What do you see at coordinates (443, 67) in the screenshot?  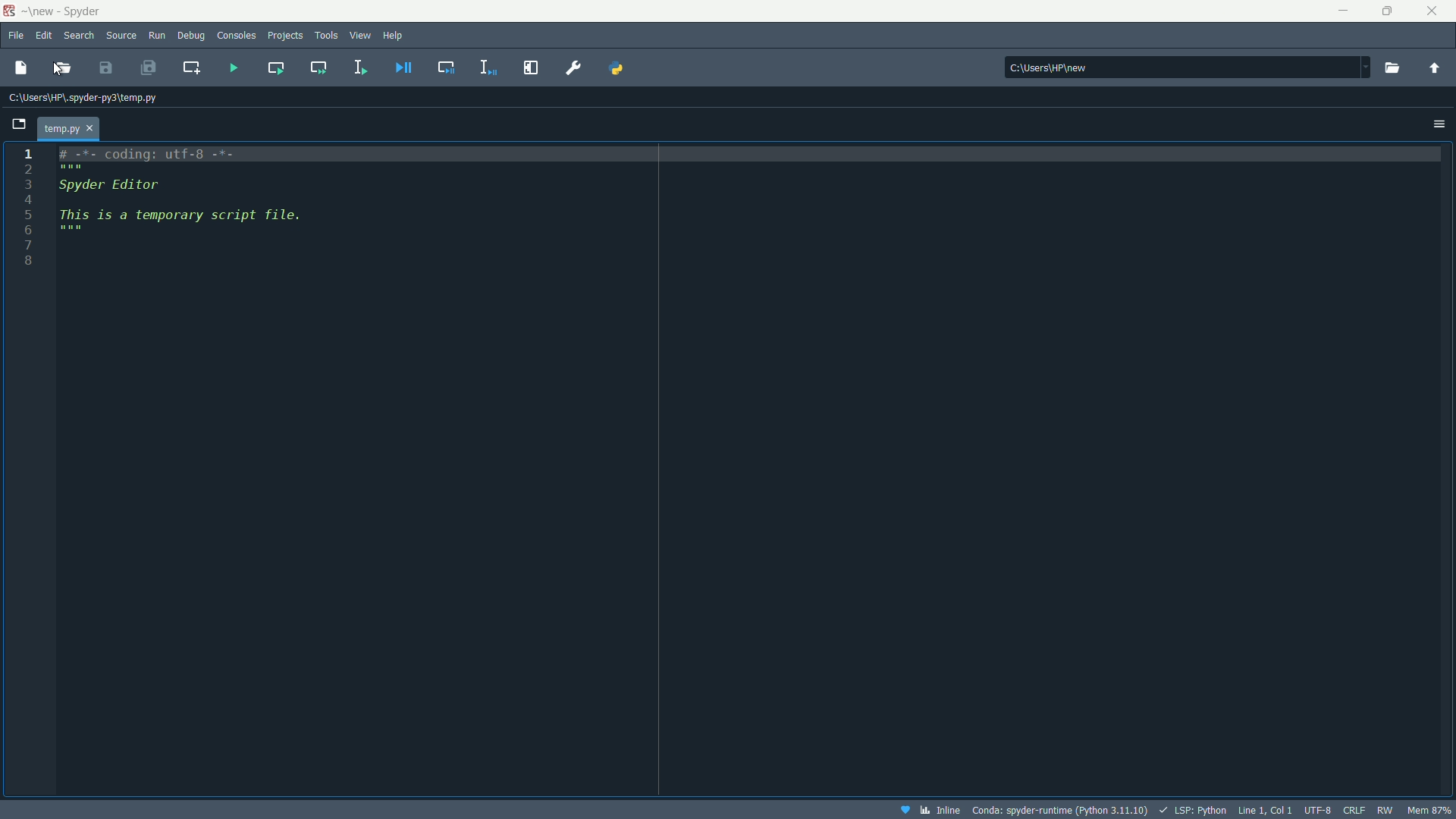 I see `Debug cell` at bounding box center [443, 67].